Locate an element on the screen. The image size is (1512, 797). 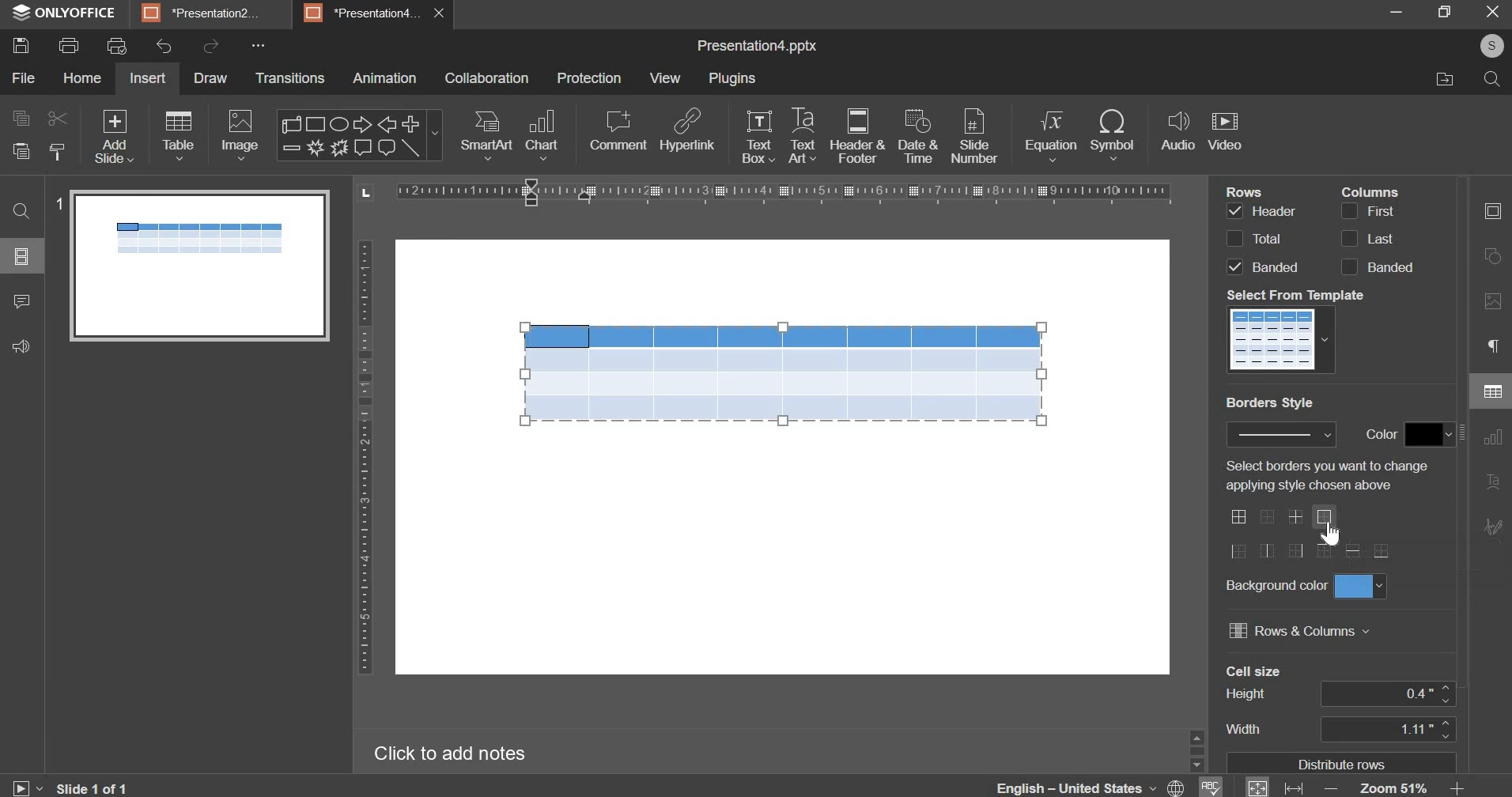
minimize is located at coordinates (1394, 10).